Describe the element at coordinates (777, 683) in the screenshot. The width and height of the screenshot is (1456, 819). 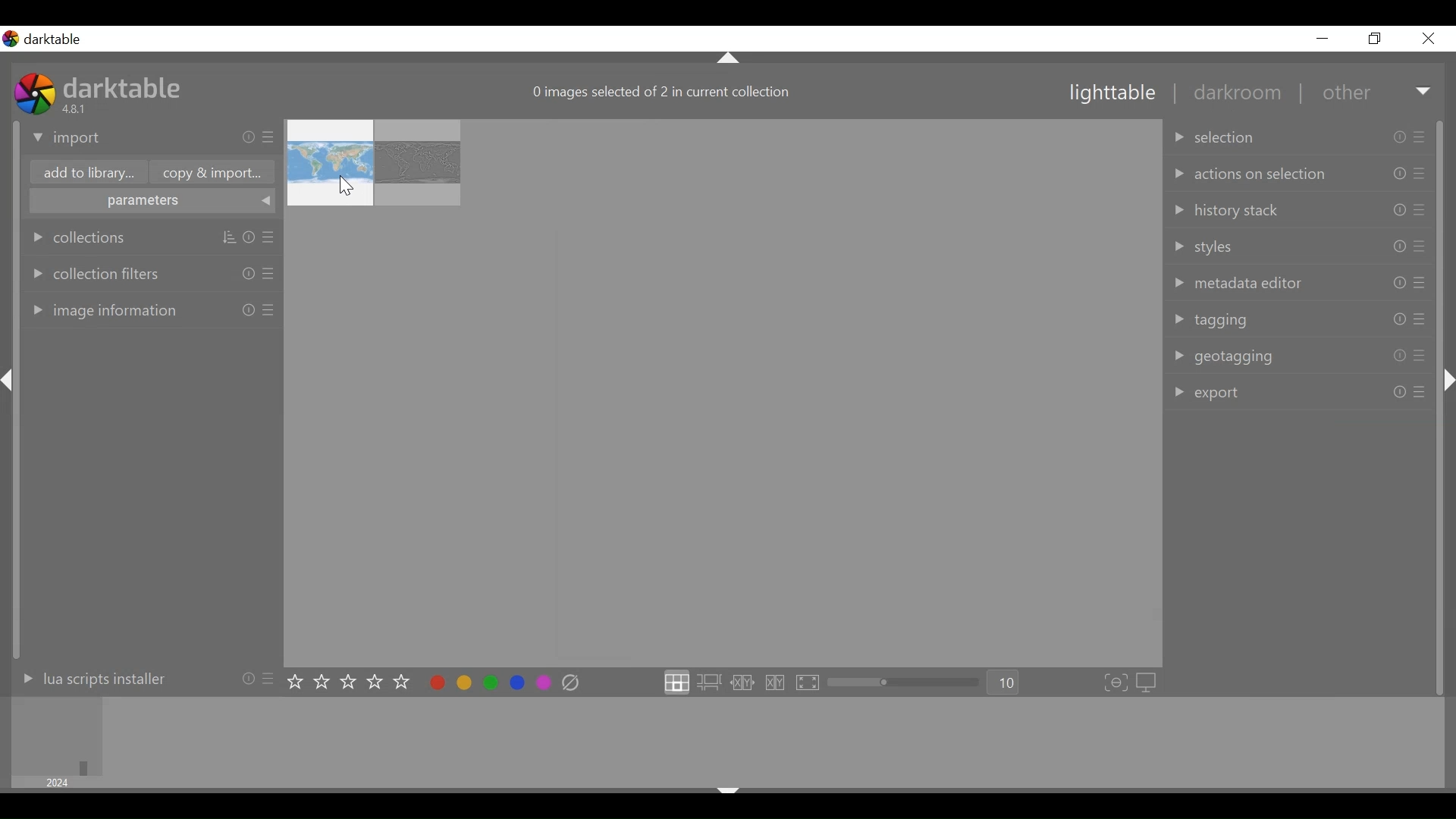
I see `click to enter culling layout in dynamic mode` at that location.